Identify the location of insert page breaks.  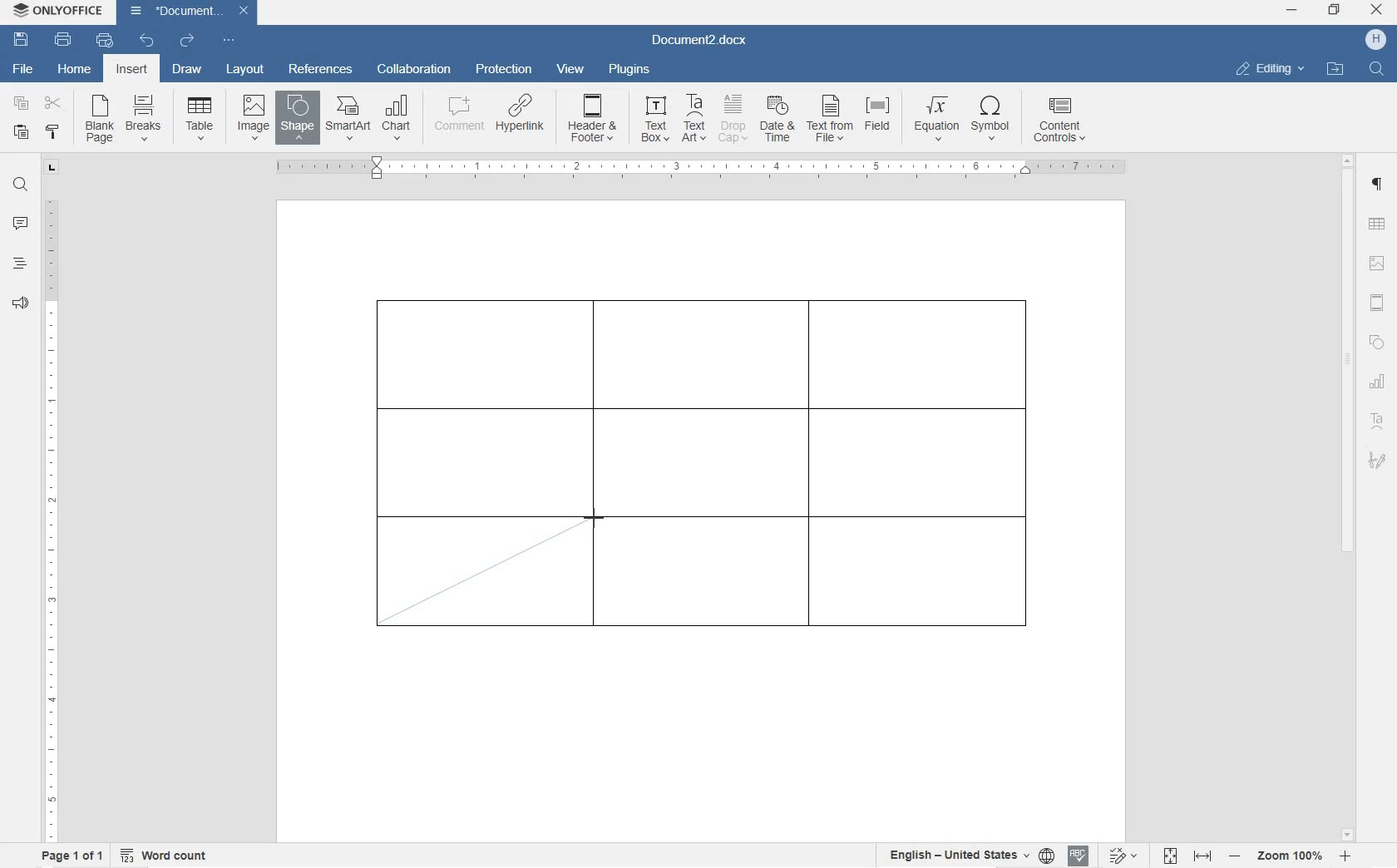
(146, 119).